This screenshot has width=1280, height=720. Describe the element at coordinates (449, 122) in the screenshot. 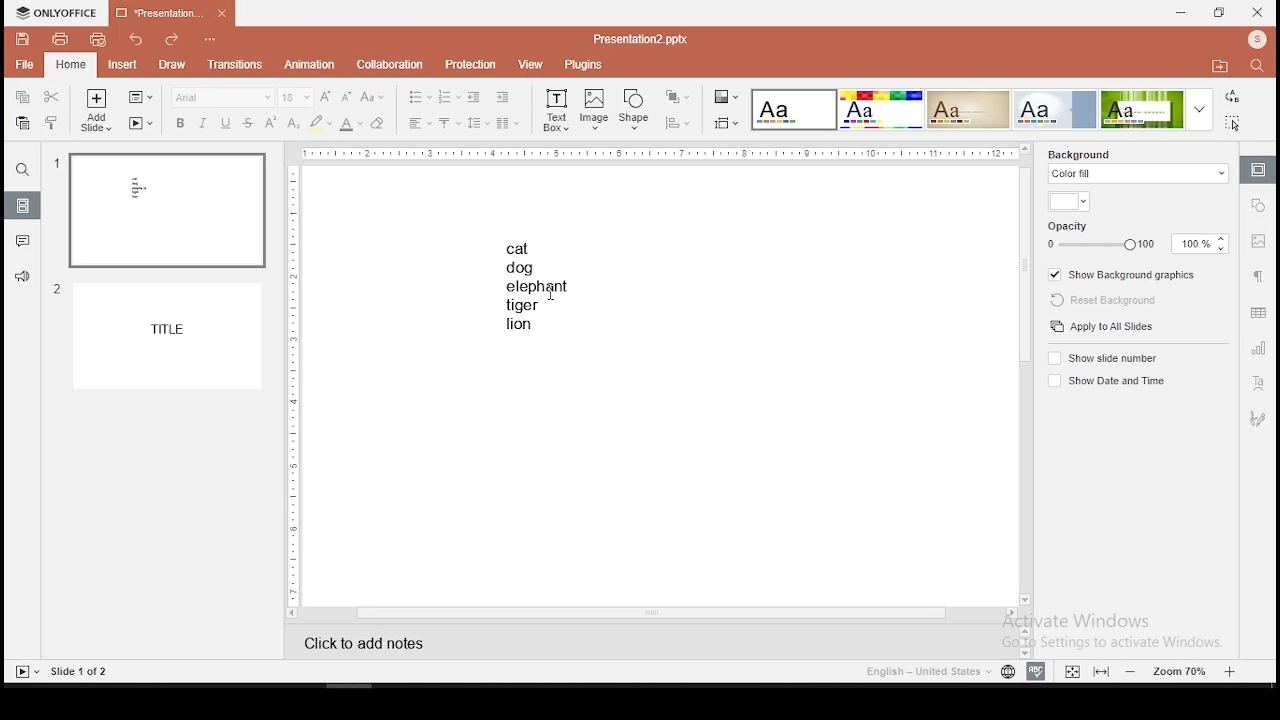

I see `vertical alignment` at that location.